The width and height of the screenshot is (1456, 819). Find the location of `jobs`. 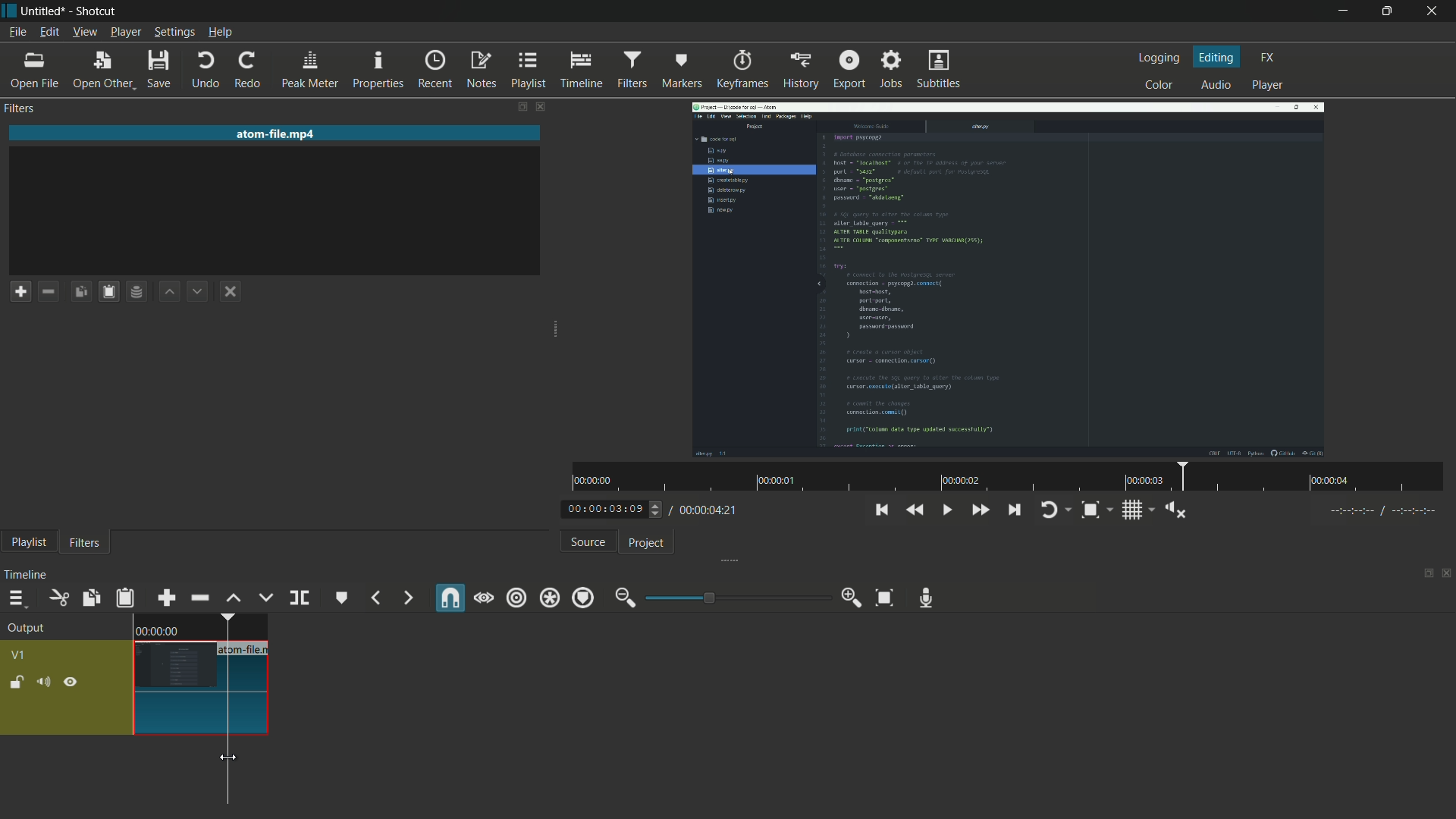

jobs is located at coordinates (893, 70).